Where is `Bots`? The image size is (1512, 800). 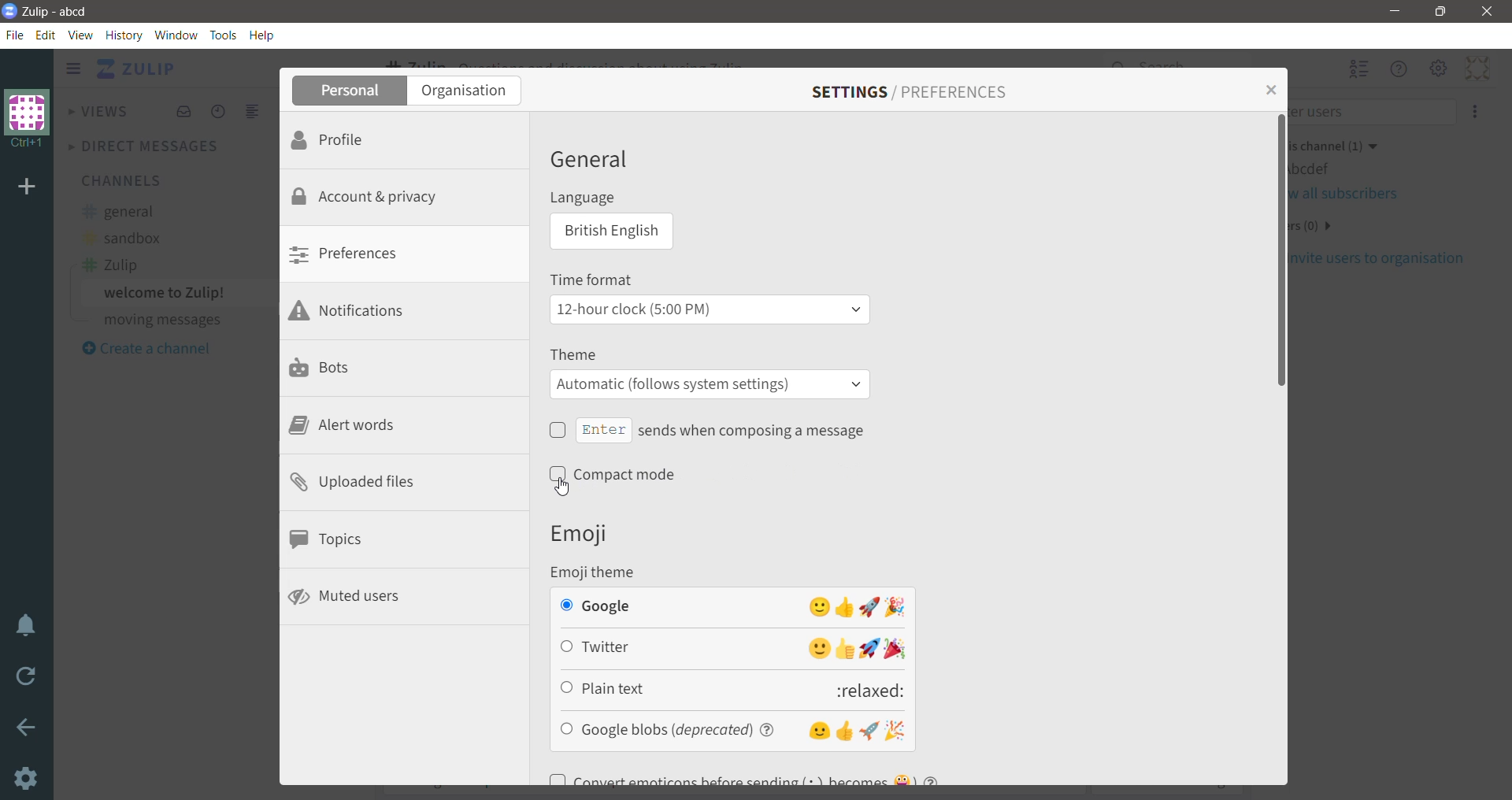
Bots is located at coordinates (329, 367).